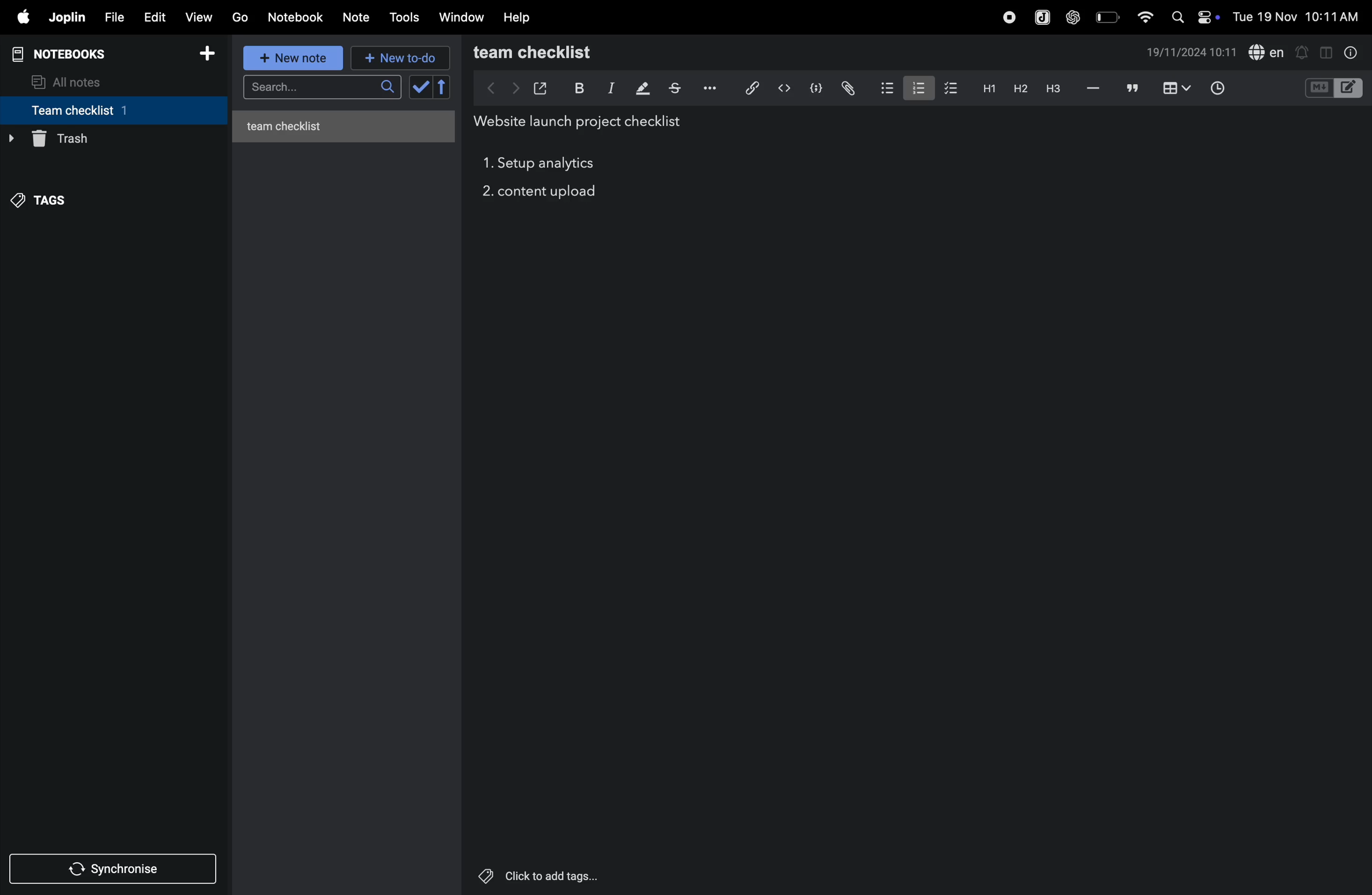  Describe the element at coordinates (1322, 52) in the screenshot. I see `toggle editor` at that location.